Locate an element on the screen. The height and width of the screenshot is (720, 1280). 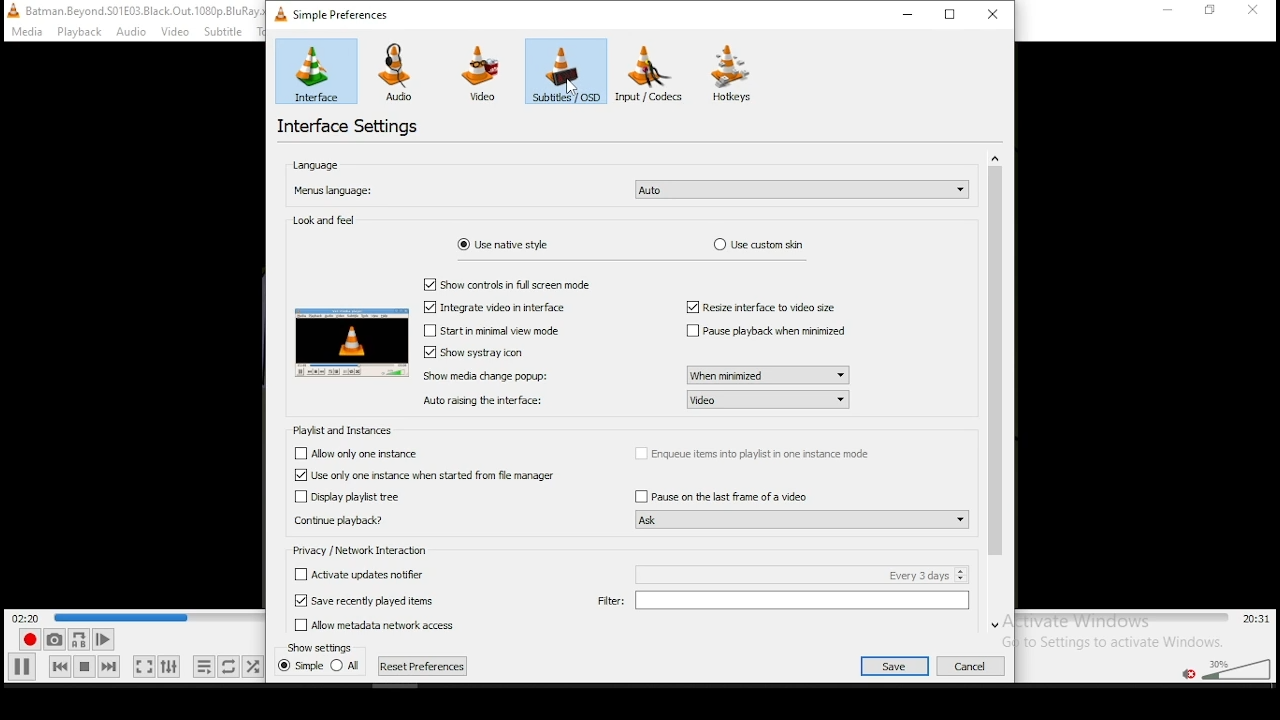
use native style is located at coordinates (503, 243).